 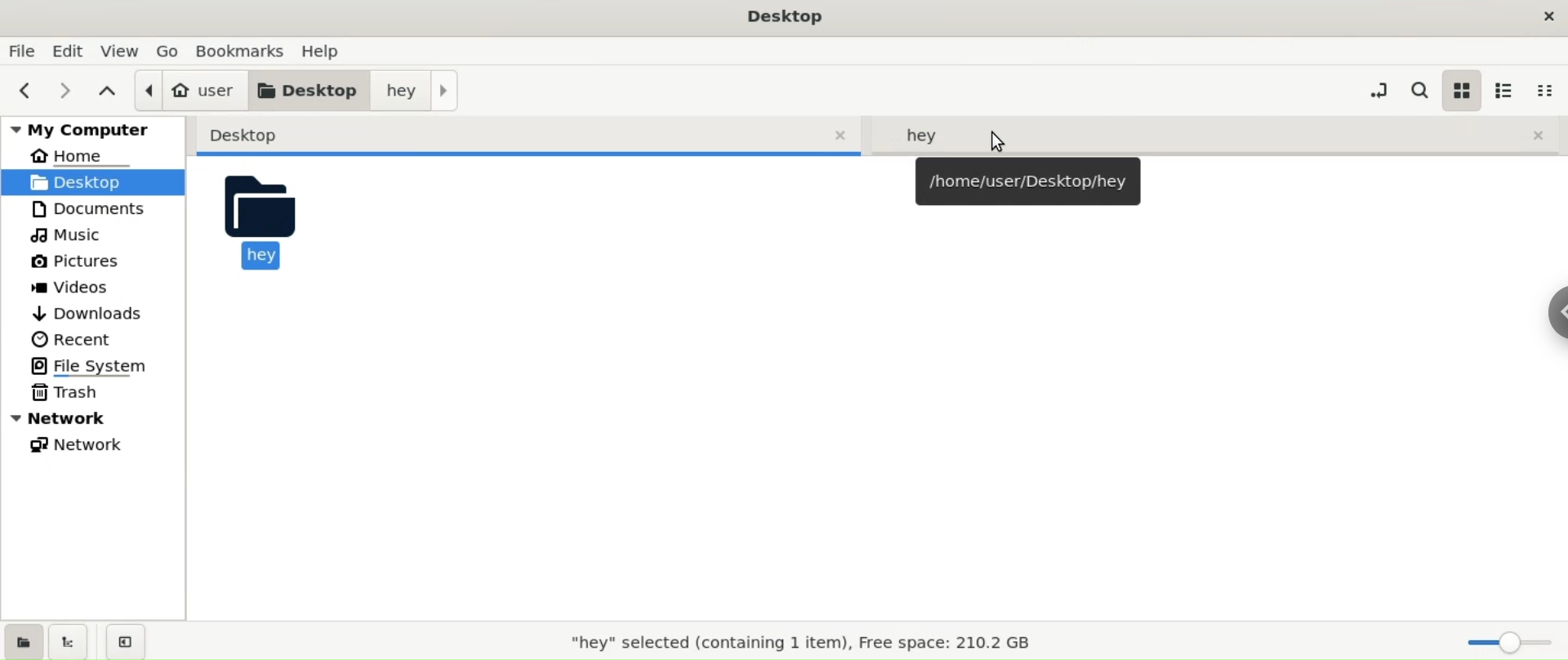 I want to click on sidebar, so click(x=1557, y=312).